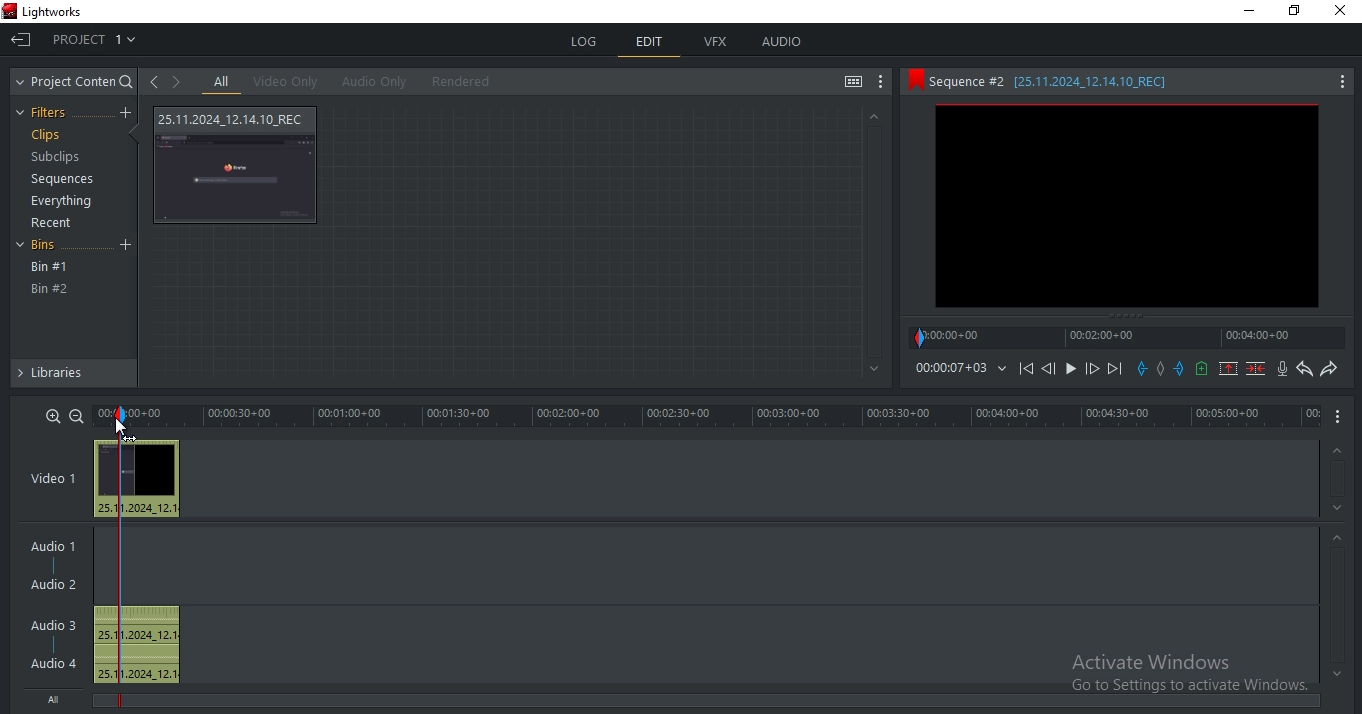 Image resolution: width=1362 pixels, height=714 pixels. I want to click on edit, so click(649, 43).